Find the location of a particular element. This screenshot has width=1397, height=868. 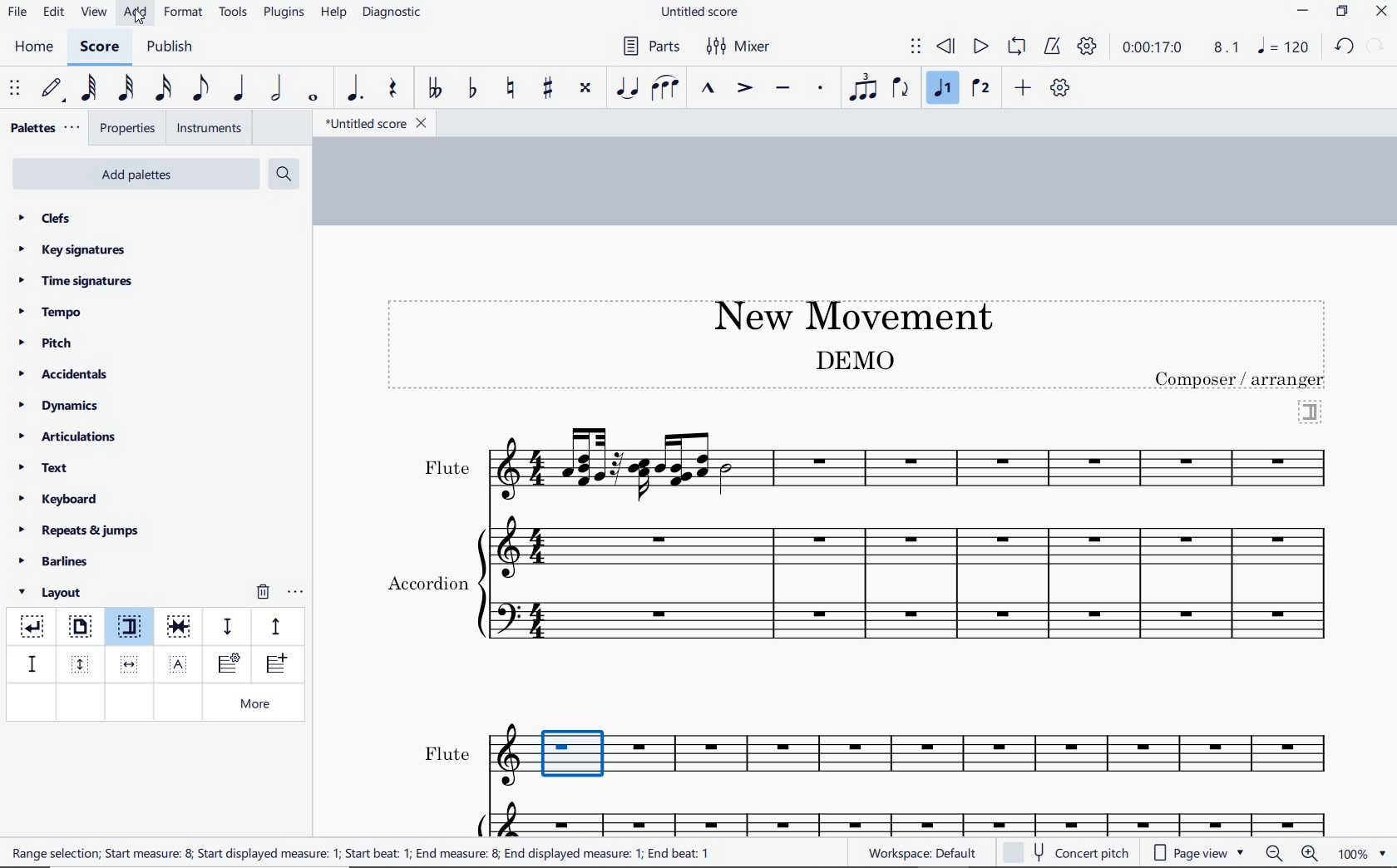

clefs is located at coordinates (46, 218).